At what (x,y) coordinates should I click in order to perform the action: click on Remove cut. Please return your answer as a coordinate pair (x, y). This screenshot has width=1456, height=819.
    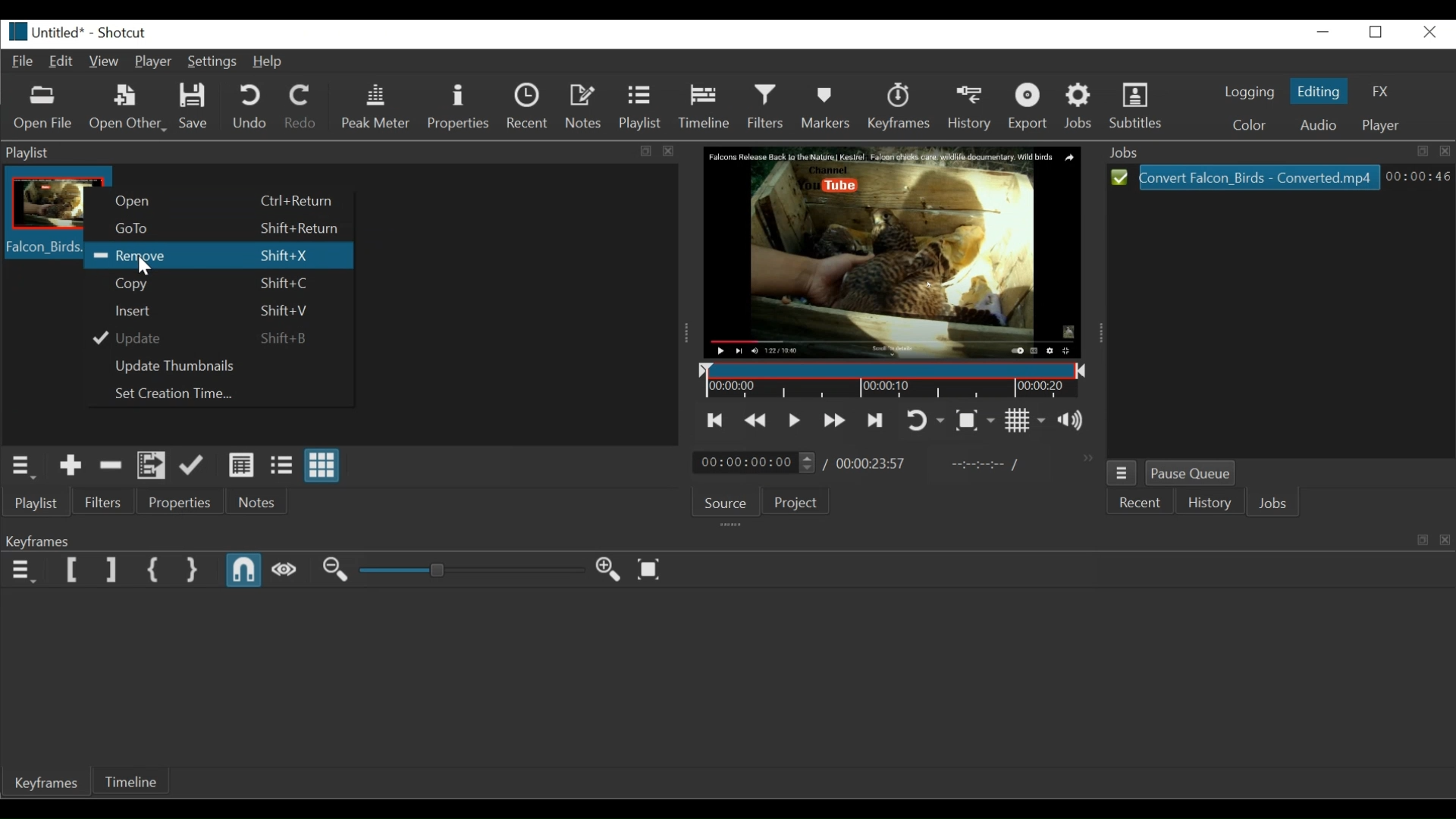
    Looking at the image, I should click on (112, 466).